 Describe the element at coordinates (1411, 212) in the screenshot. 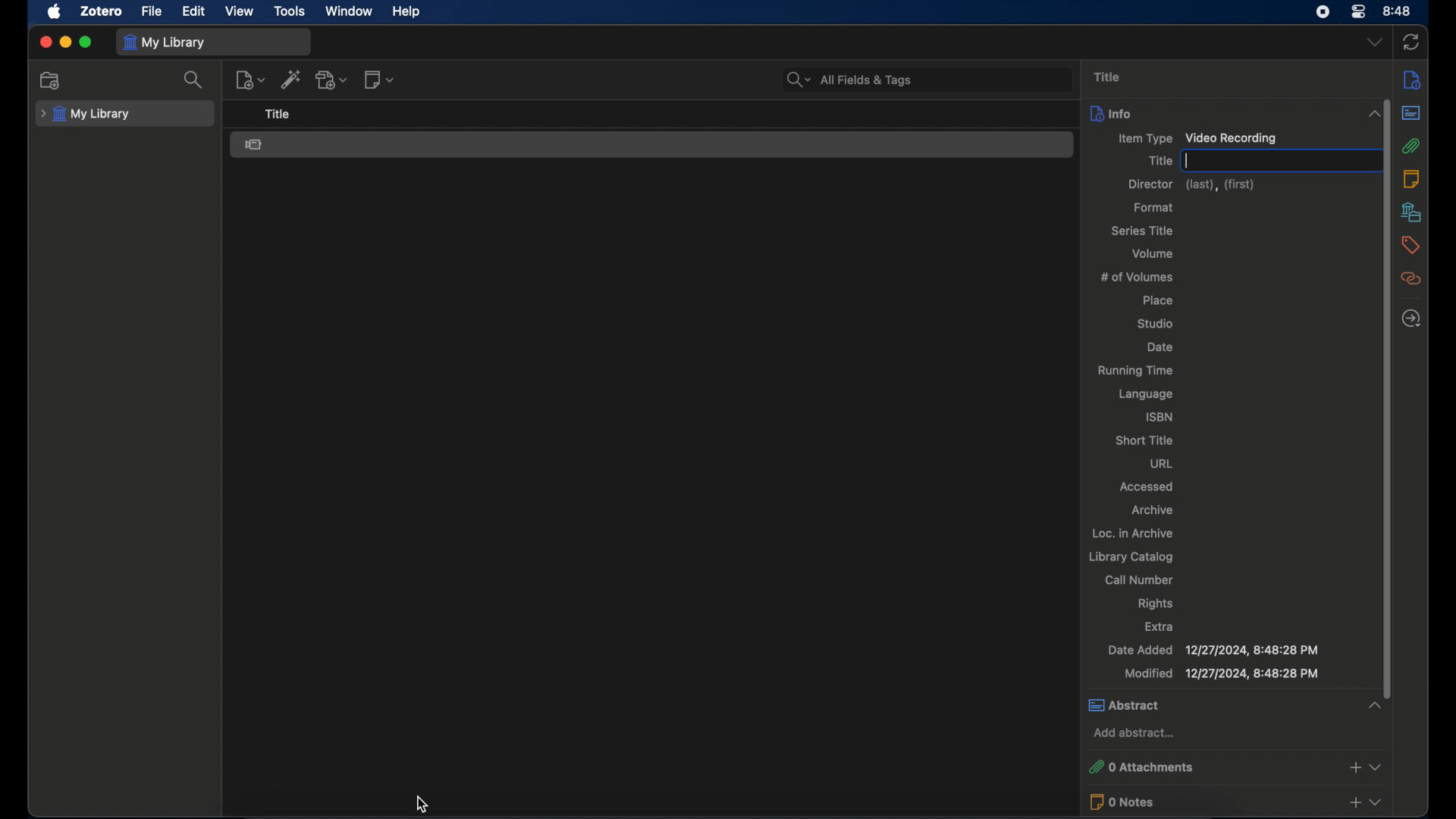

I see `libraries` at that location.